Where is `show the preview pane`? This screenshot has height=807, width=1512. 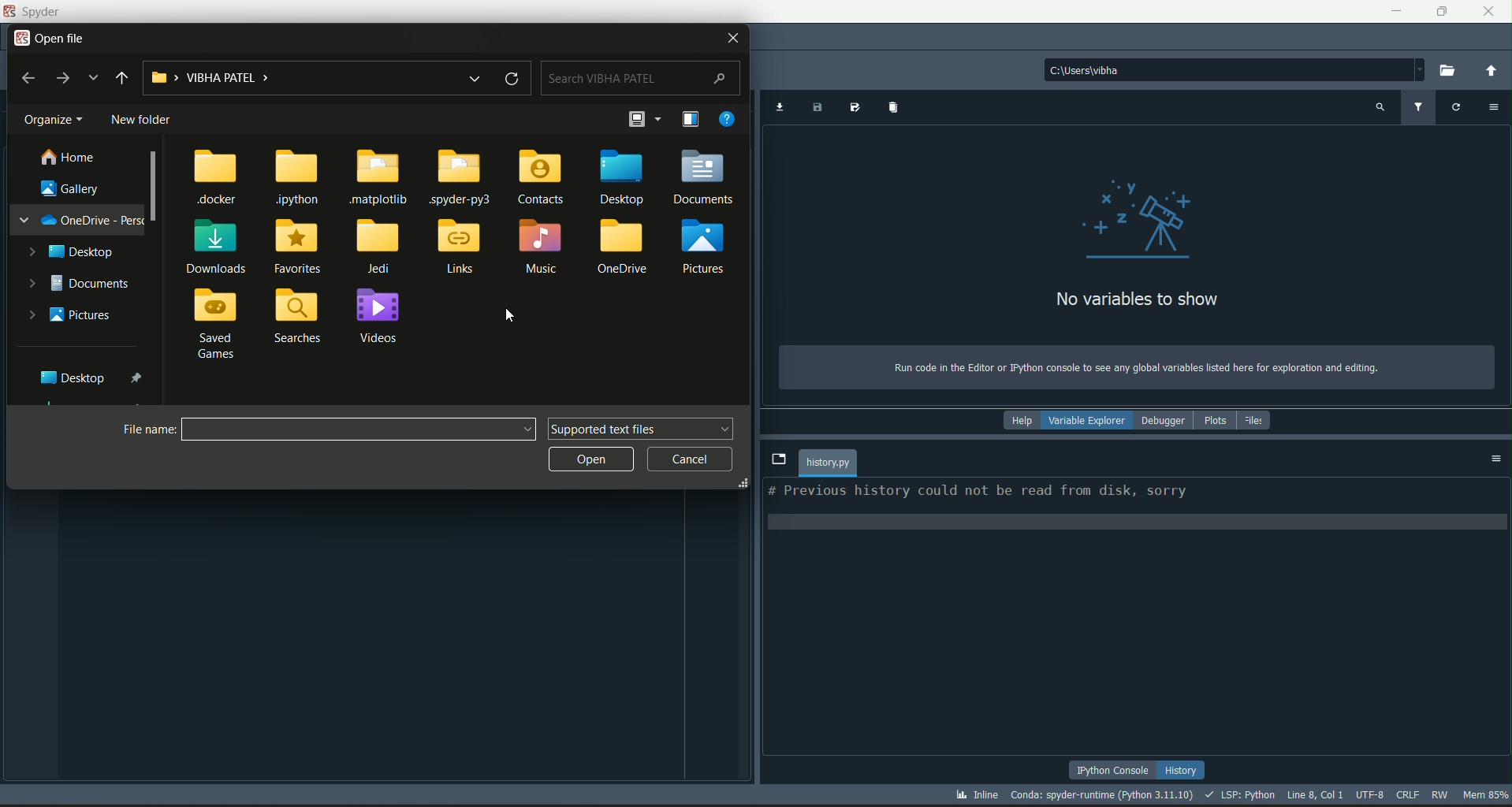
show the preview pane is located at coordinates (691, 118).